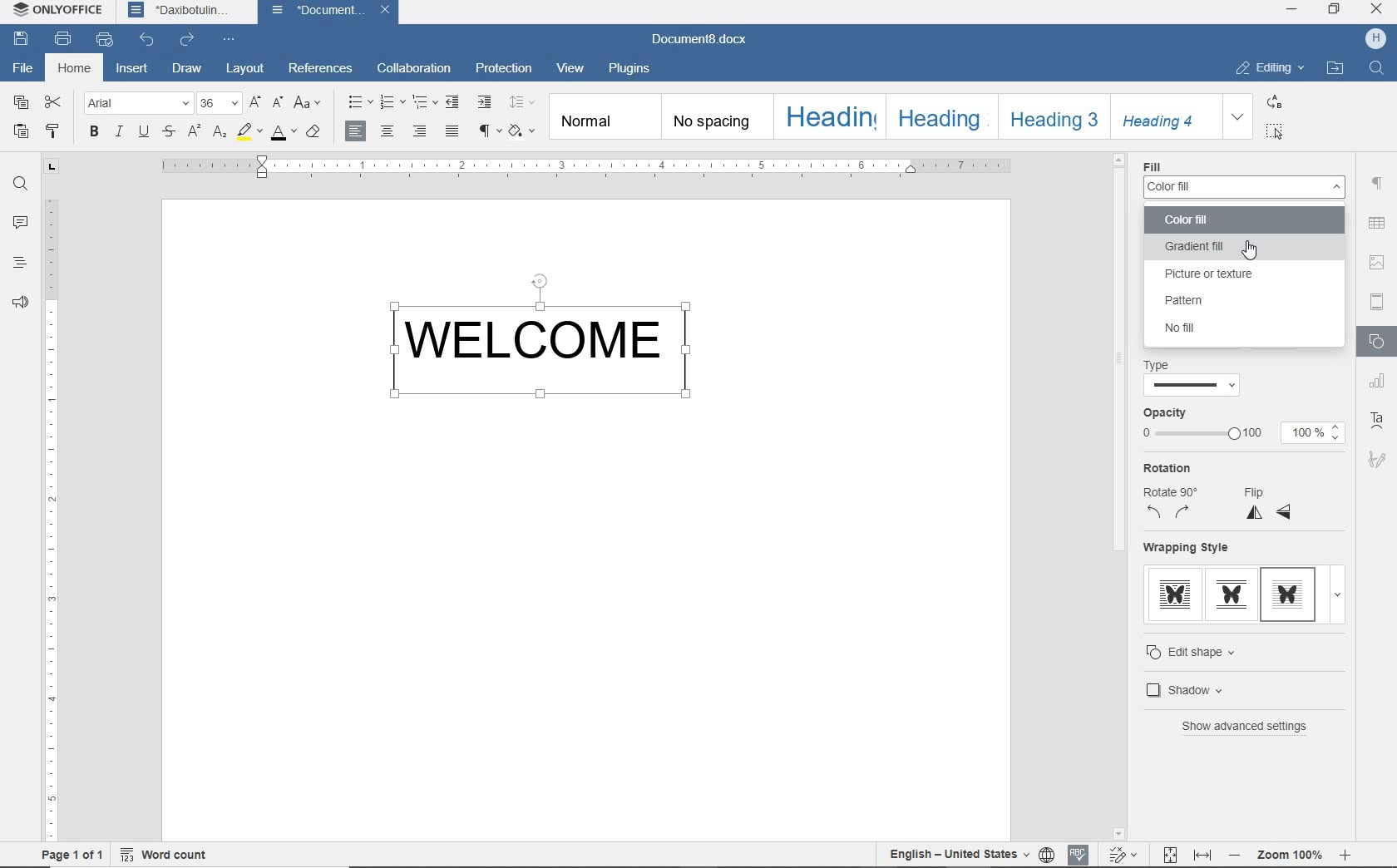  Describe the element at coordinates (388, 131) in the screenshot. I see `ALIGN CENTER` at that location.